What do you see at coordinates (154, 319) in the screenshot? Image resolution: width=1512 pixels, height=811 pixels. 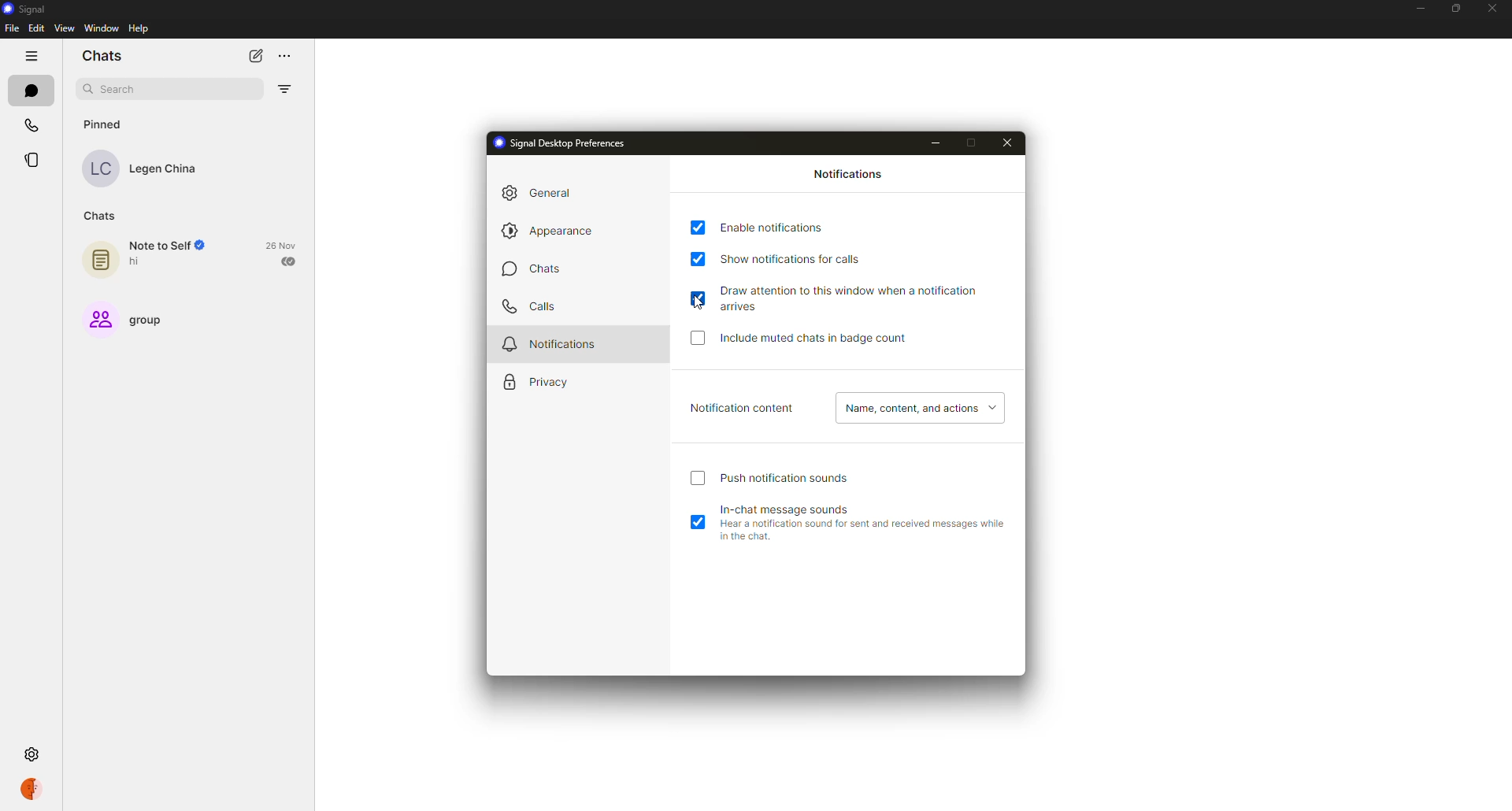 I see `group` at bounding box center [154, 319].